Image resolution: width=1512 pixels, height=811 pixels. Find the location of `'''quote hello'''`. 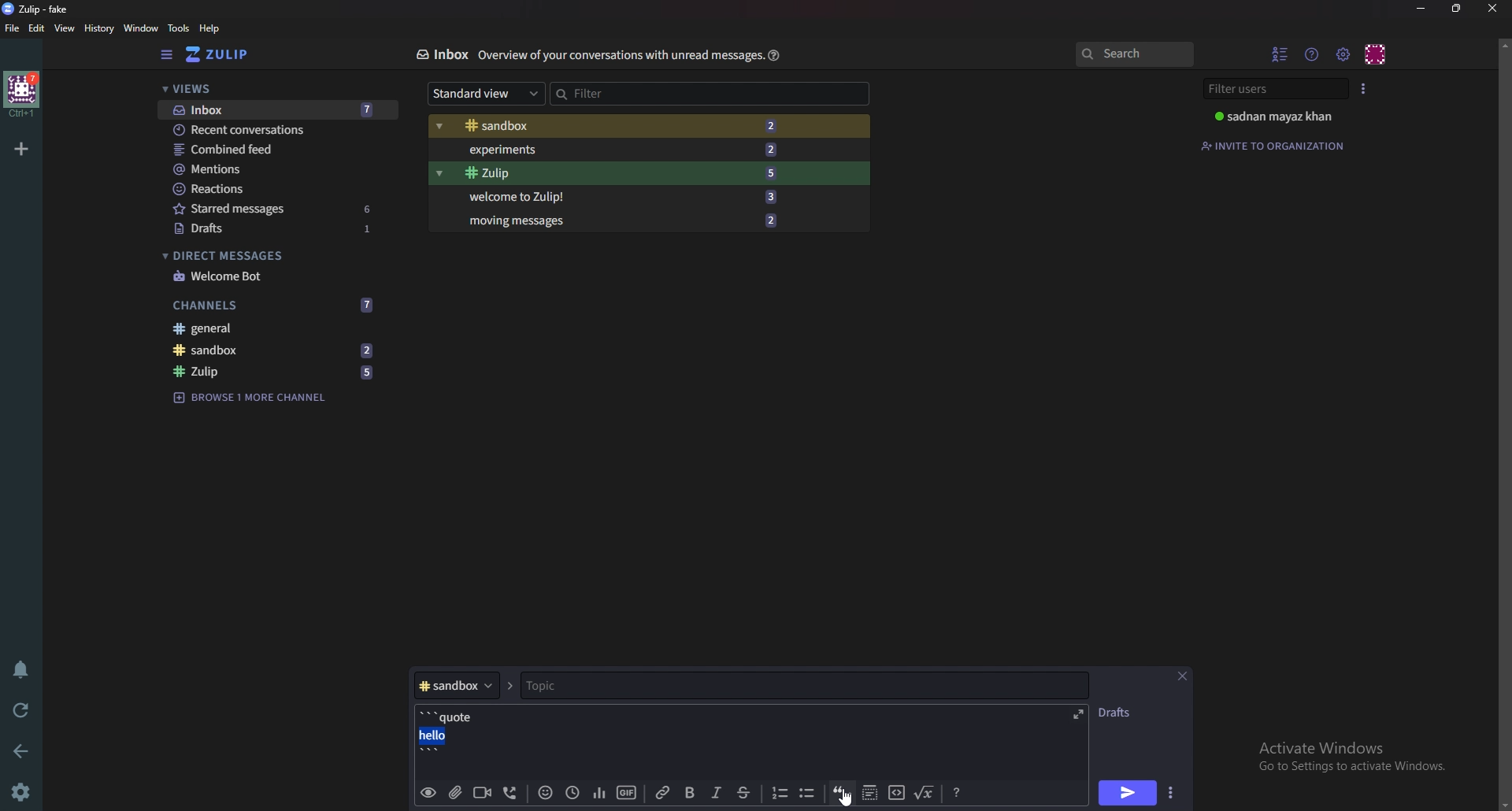

'''quote hello''' is located at coordinates (451, 731).